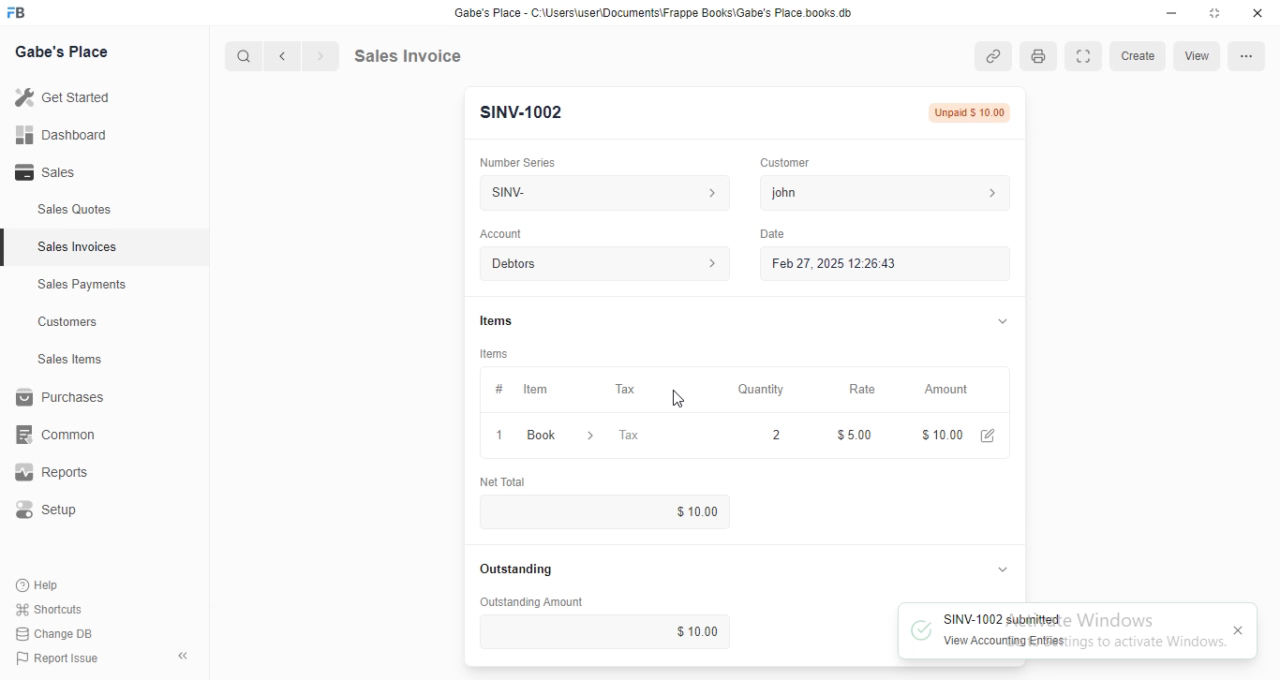 Image resolution: width=1280 pixels, height=680 pixels. What do you see at coordinates (861, 388) in the screenshot?
I see `Rate` at bounding box center [861, 388].